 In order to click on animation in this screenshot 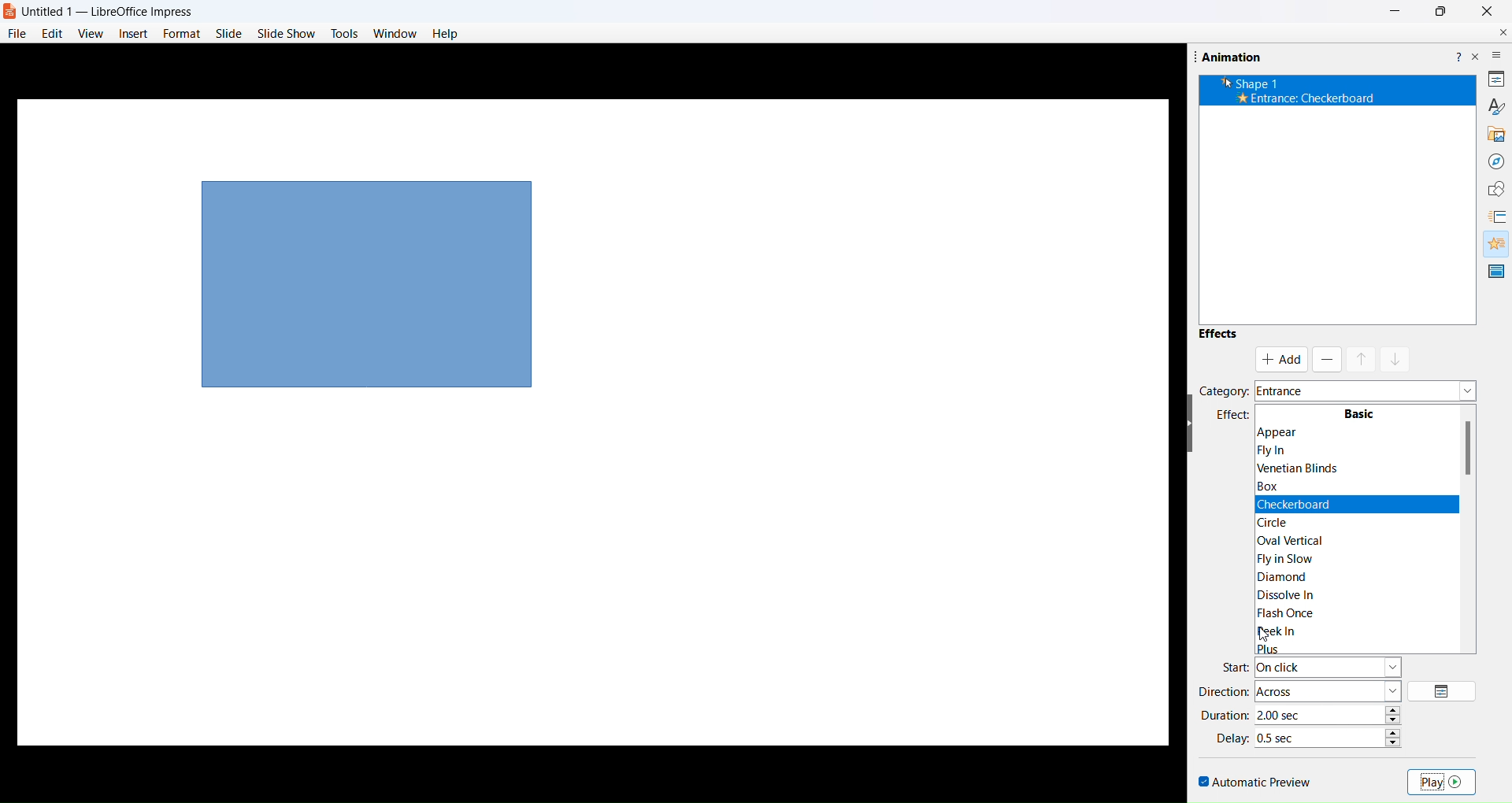, I will do `click(1226, 56)`.